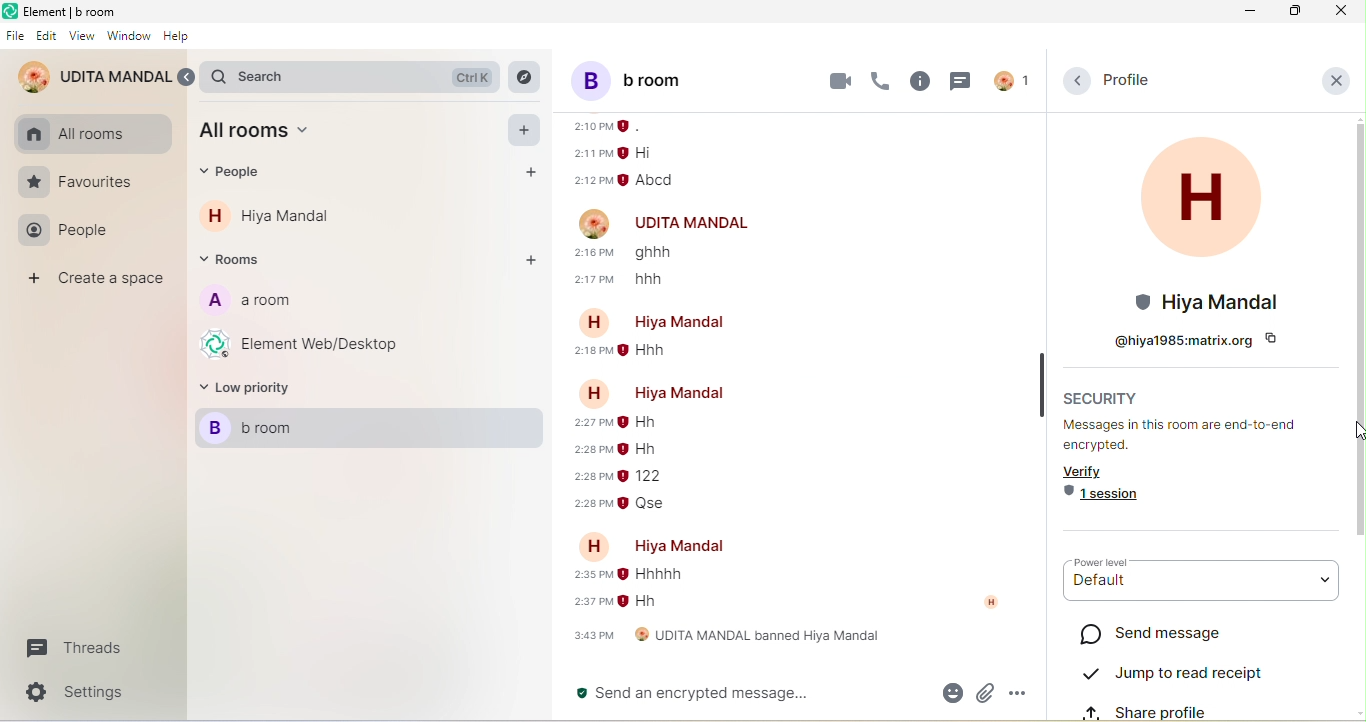 The image size is (1366, 722). I want to click on close, so click(1340, 11).